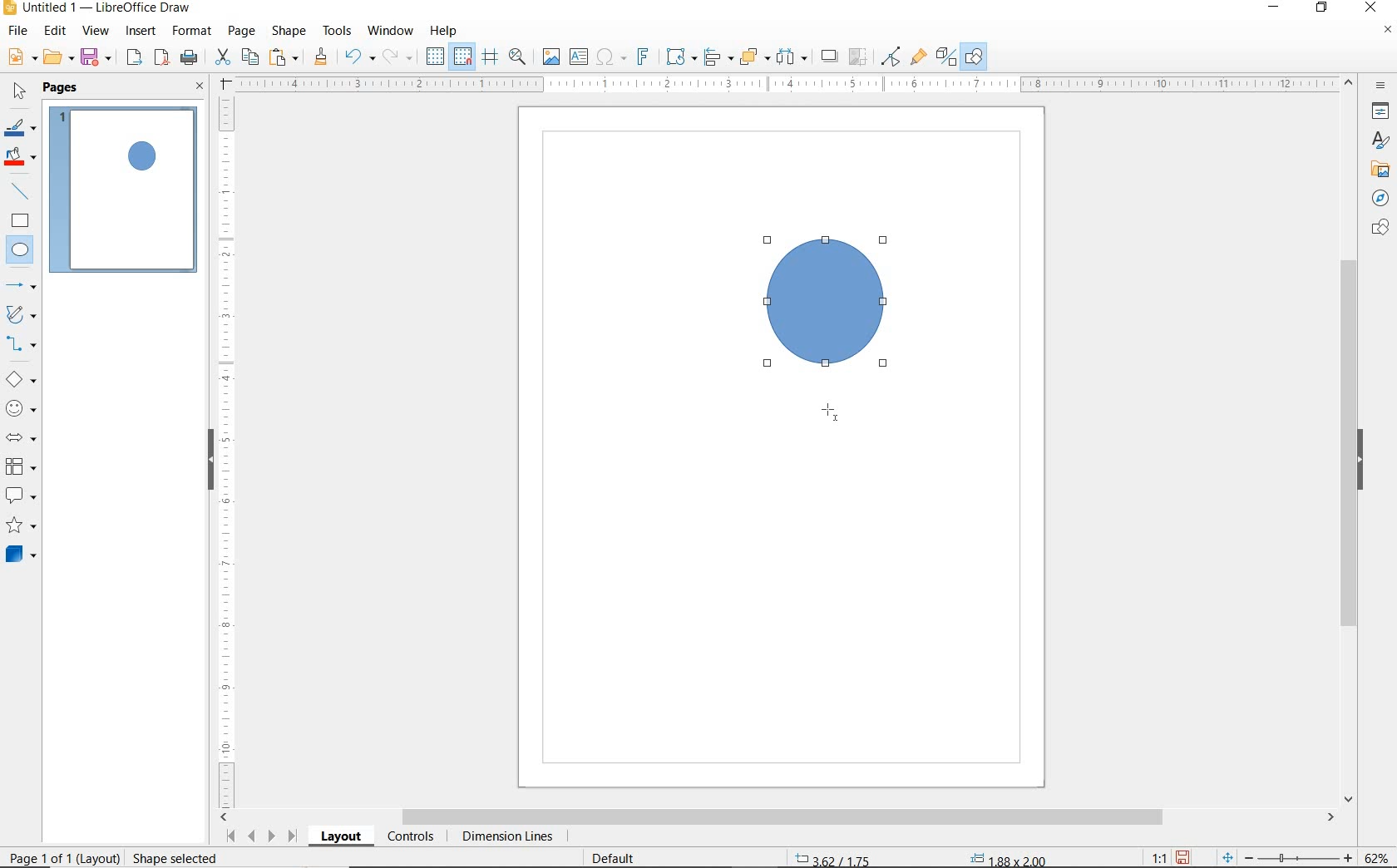 This screenshot has width=1397, height=868. What do you see at coordinates (22, 344) in the screenshot?
I see `CONNECTORS` at bounding box center [22, 344].